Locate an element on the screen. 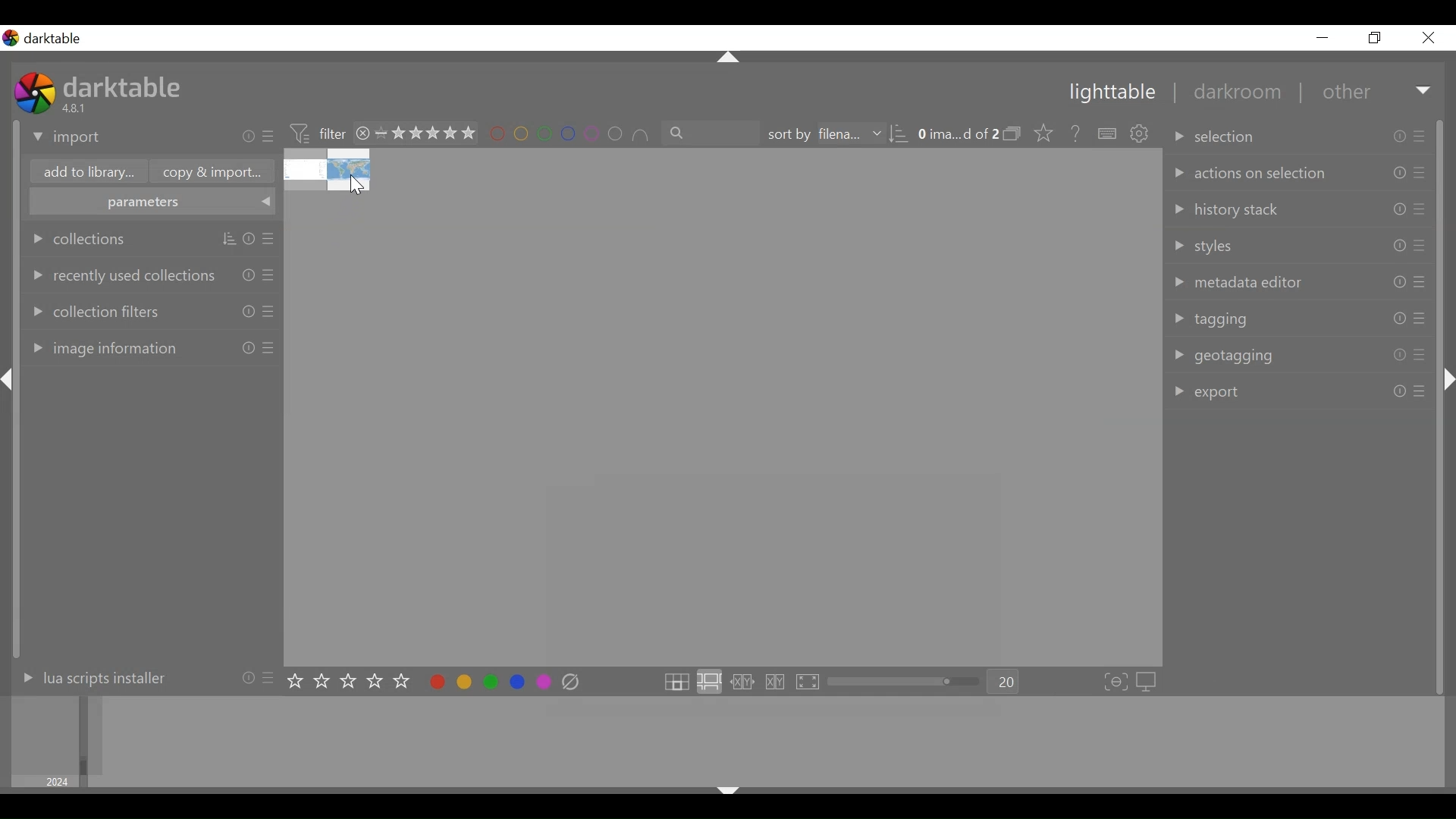 Image resolution: width=1456 pixels, height=819 pixels. import is located at coordinates (149, 137).